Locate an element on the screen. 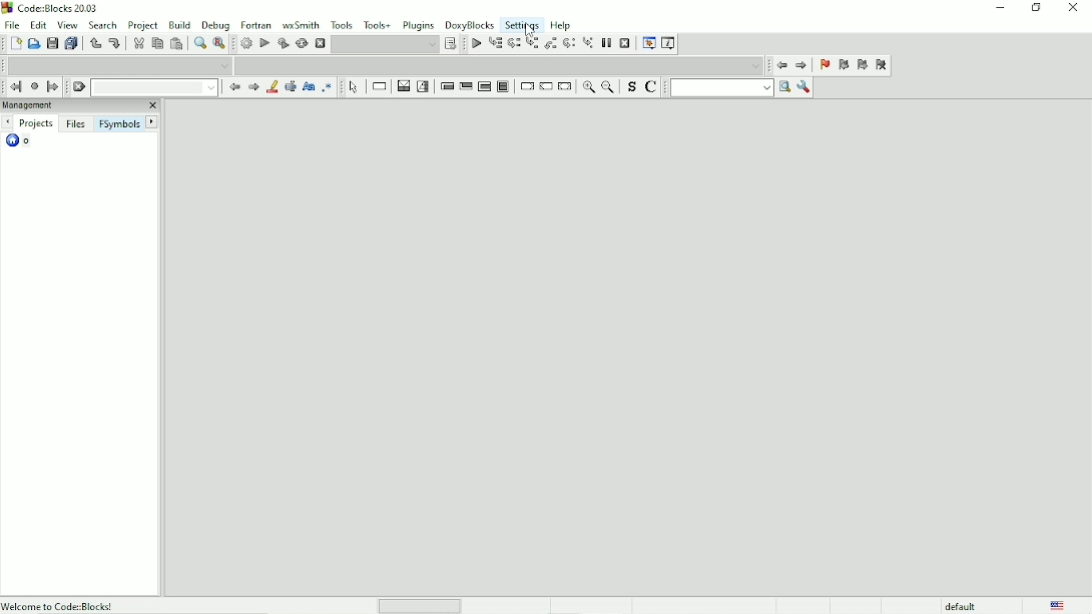 The height and width of the screenshot is (614, 1092). Replace is located at coordinates (220, 43).